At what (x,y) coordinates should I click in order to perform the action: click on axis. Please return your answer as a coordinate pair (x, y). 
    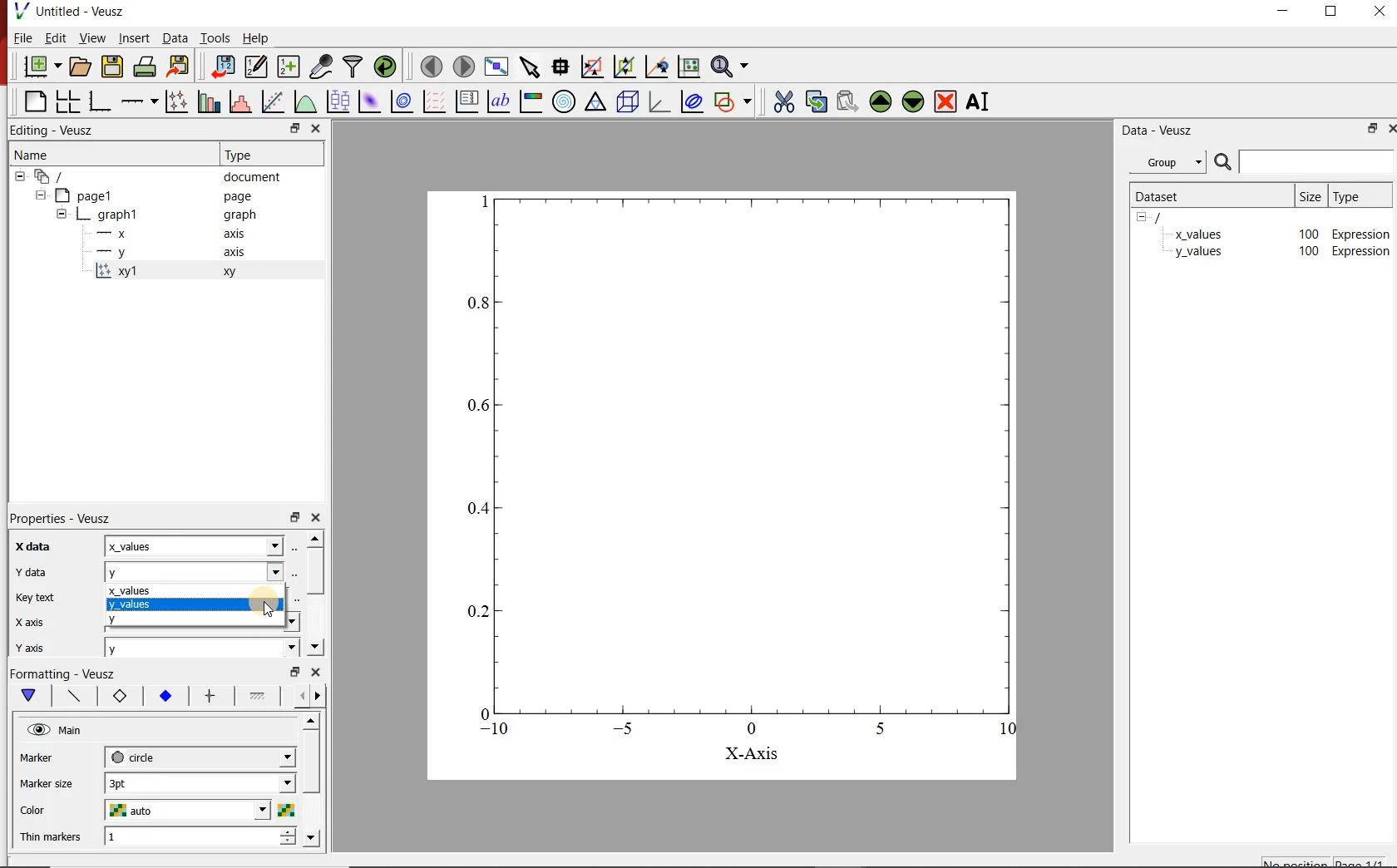
    Looking at the image, I should click on (234, 253).